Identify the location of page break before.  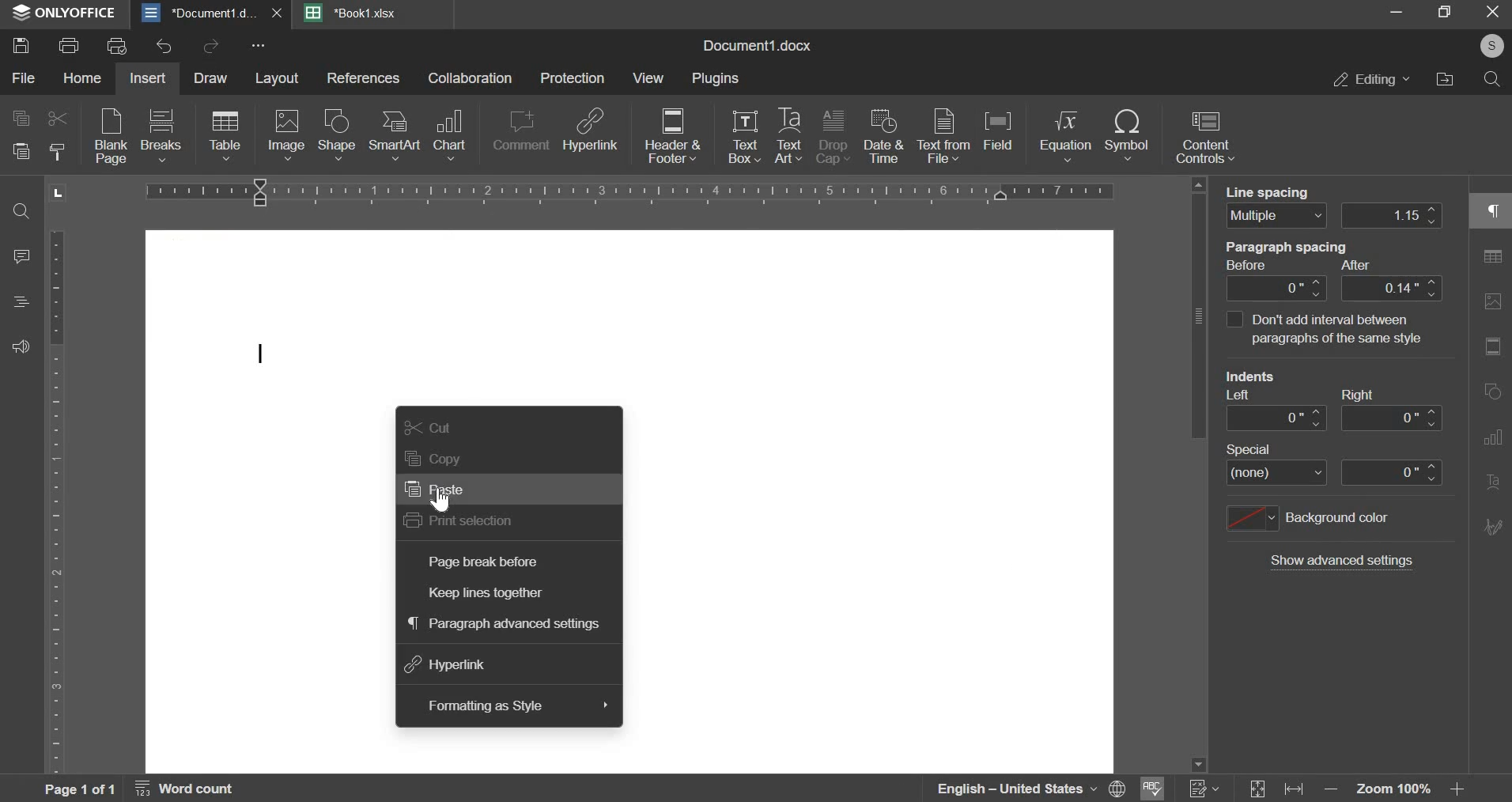
(487, 560).